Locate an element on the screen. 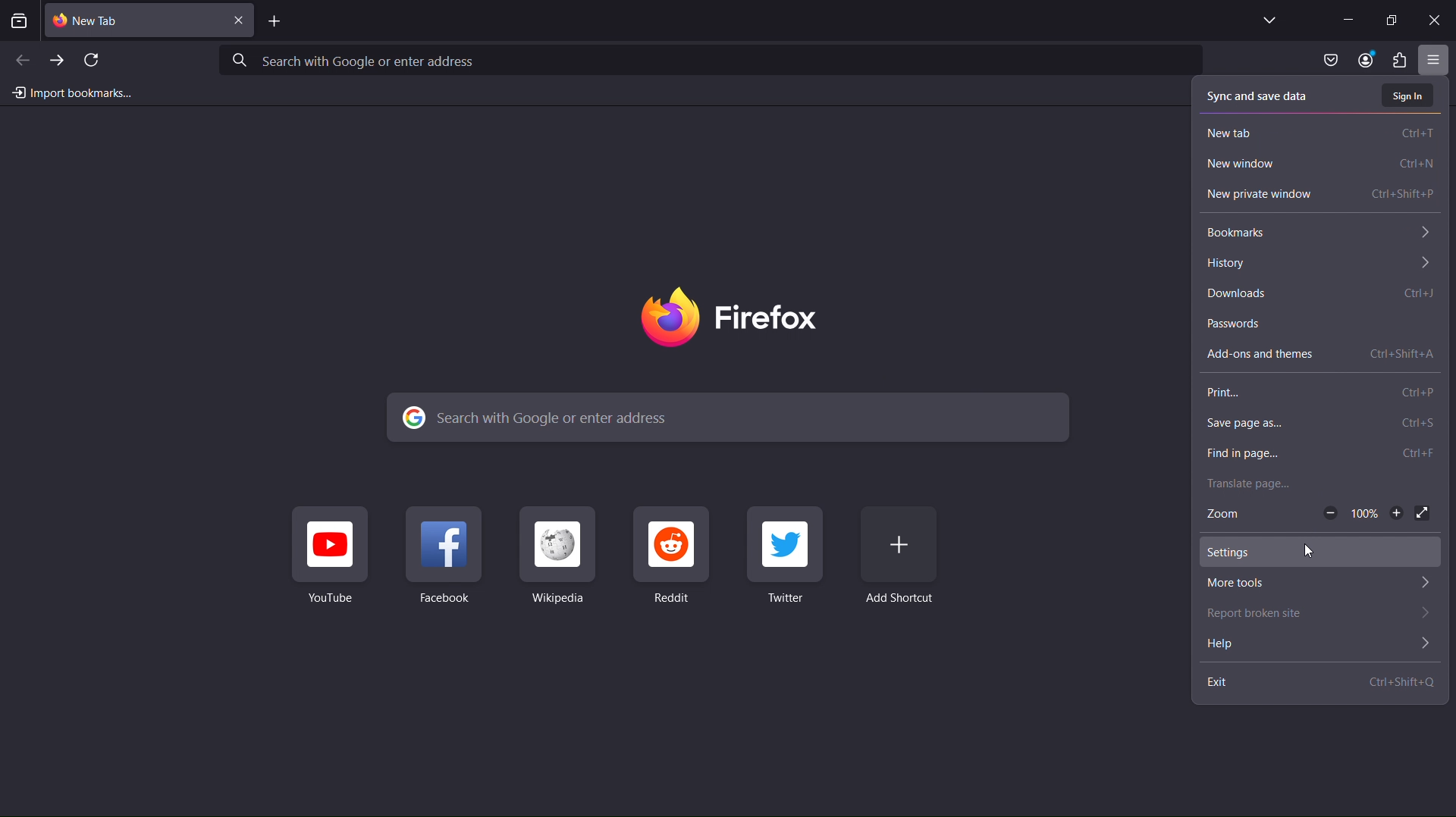  Facebook Shortcut is located at coordinates (447, 554).